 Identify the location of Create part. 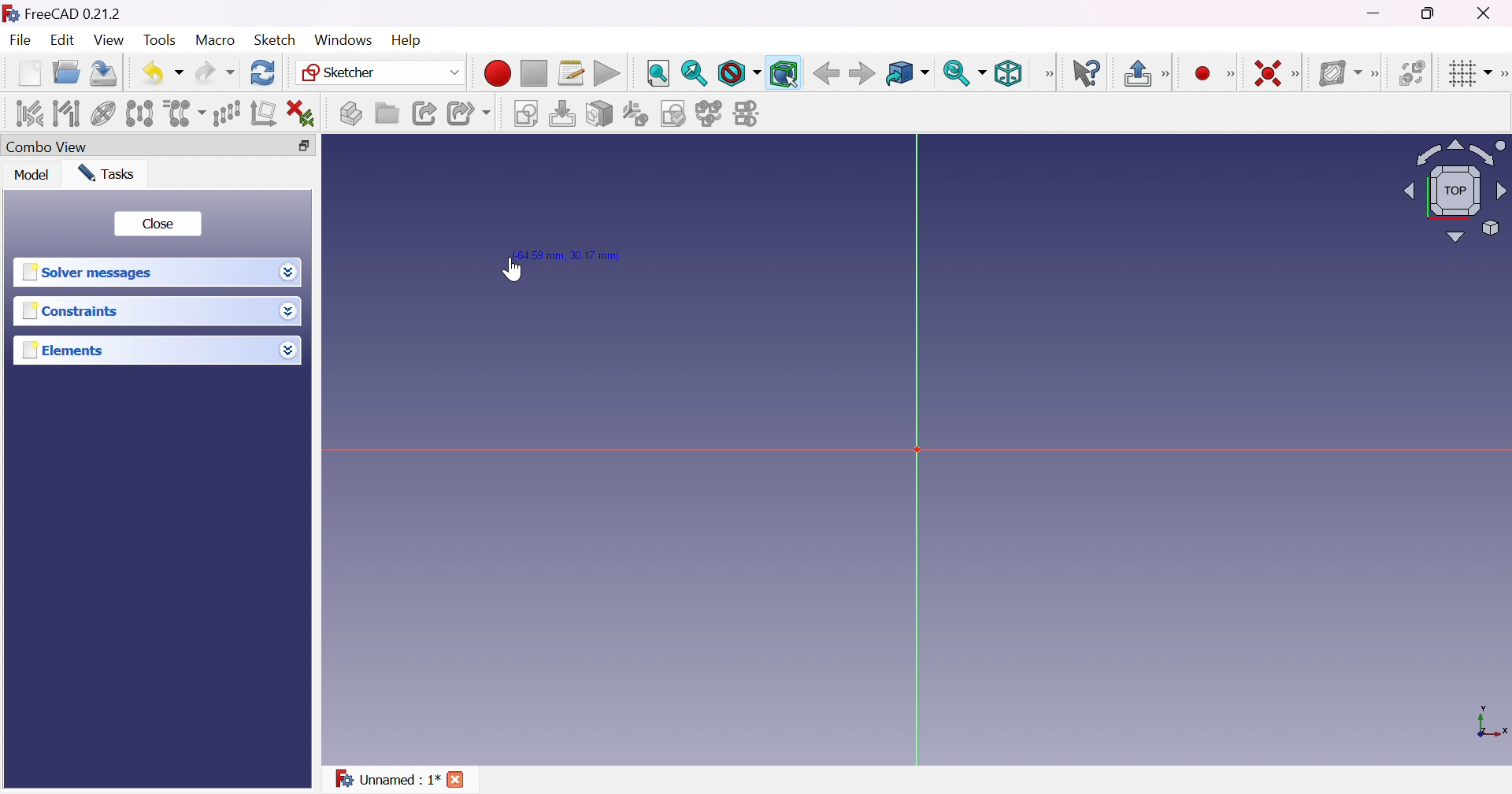
(350, 112).